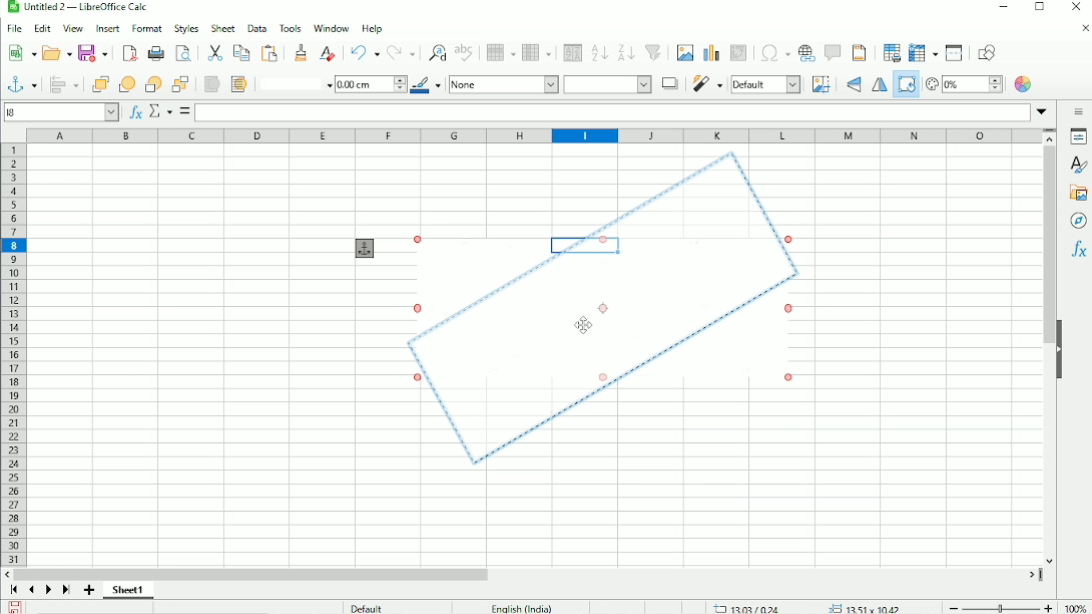 Image resolution: width=1092 pixels, height=614 pixels. What do you see at coordinates (66, 591) in the screenshot?
I see `Scroll to last sheet` at bounding box center [66, 591].